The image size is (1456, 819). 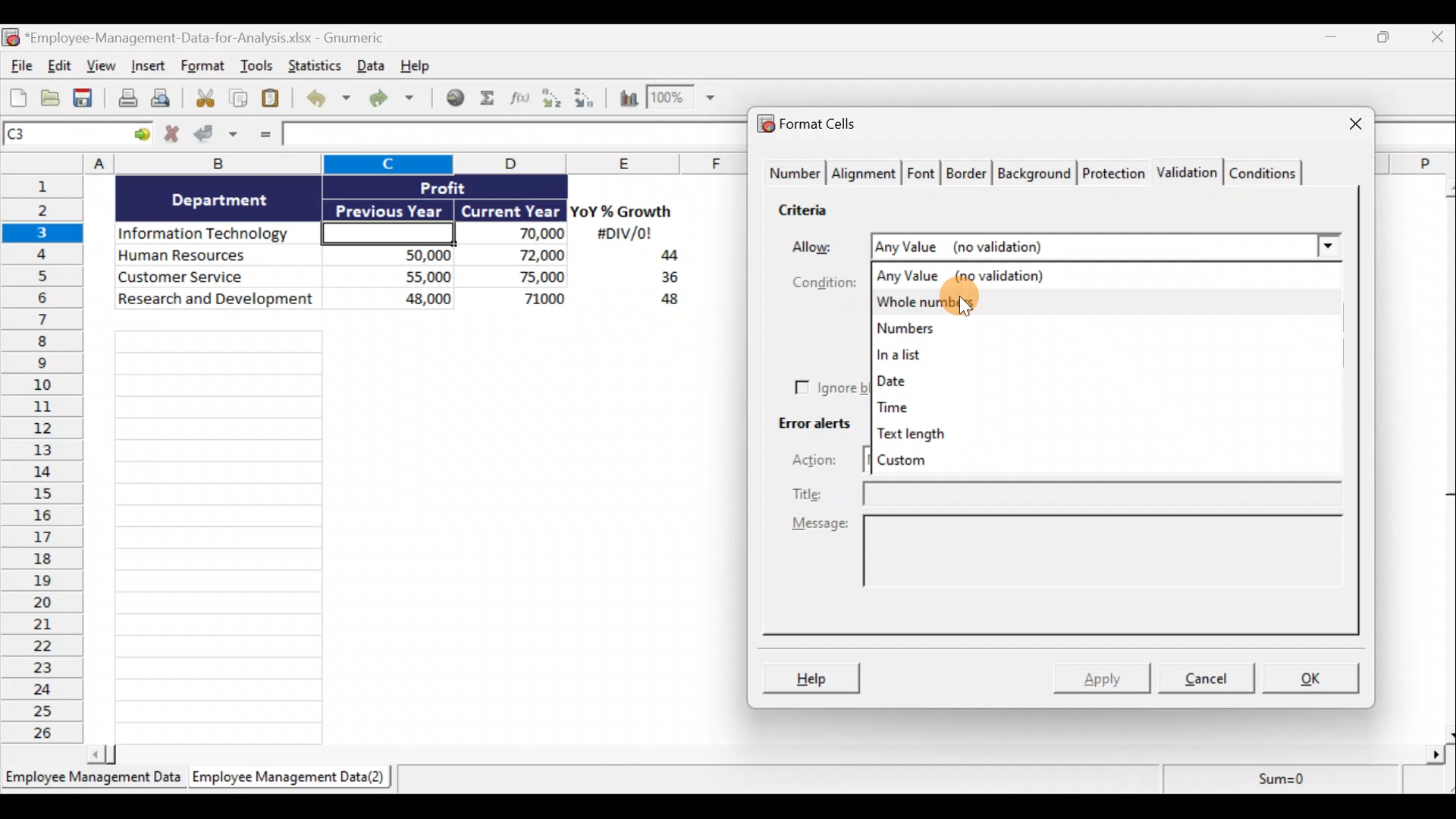 I want to click on Any value (no validation), so click(x=1109, y=274).